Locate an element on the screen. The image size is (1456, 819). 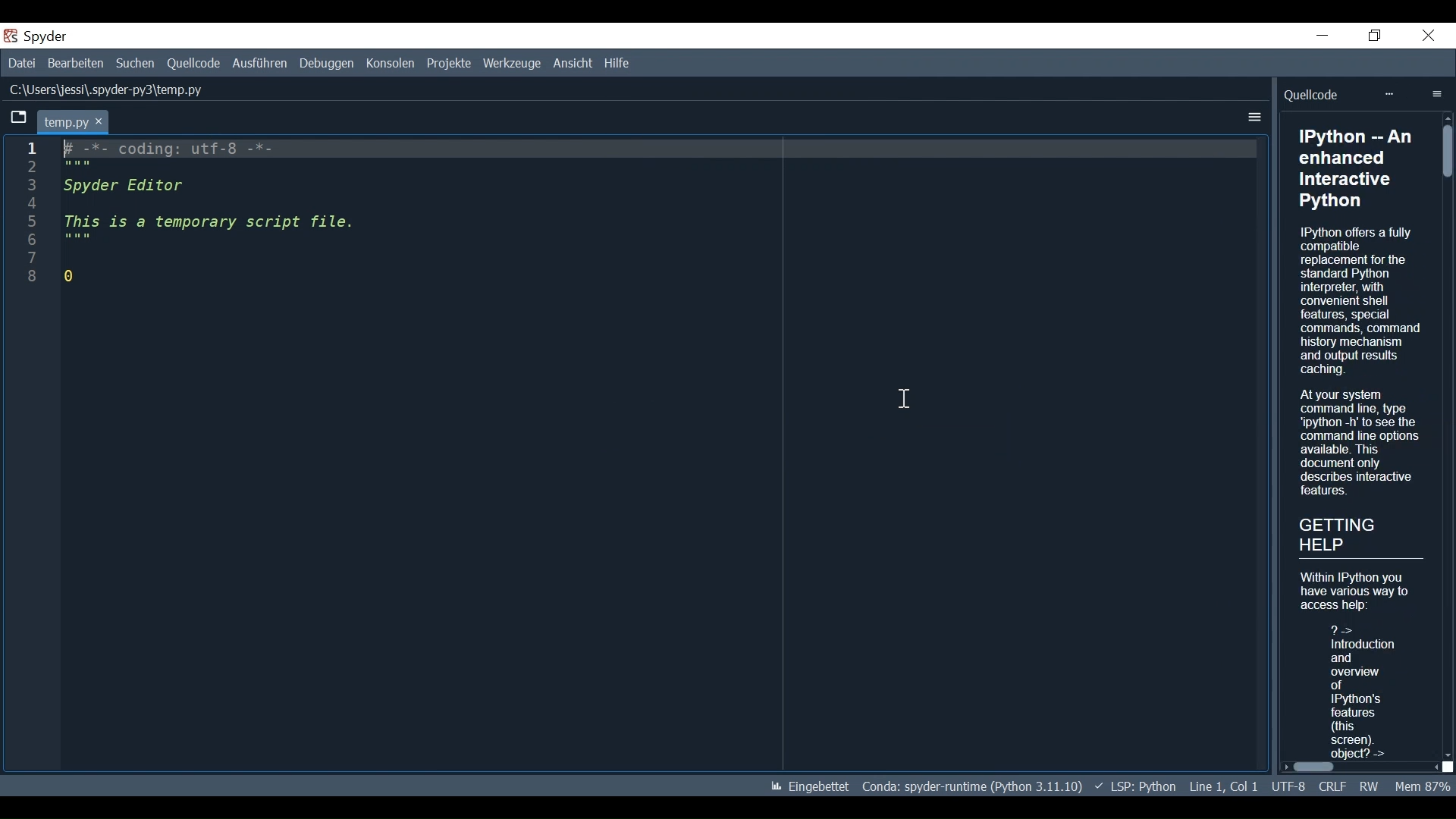
Edit is located at coordinates (74, 64).